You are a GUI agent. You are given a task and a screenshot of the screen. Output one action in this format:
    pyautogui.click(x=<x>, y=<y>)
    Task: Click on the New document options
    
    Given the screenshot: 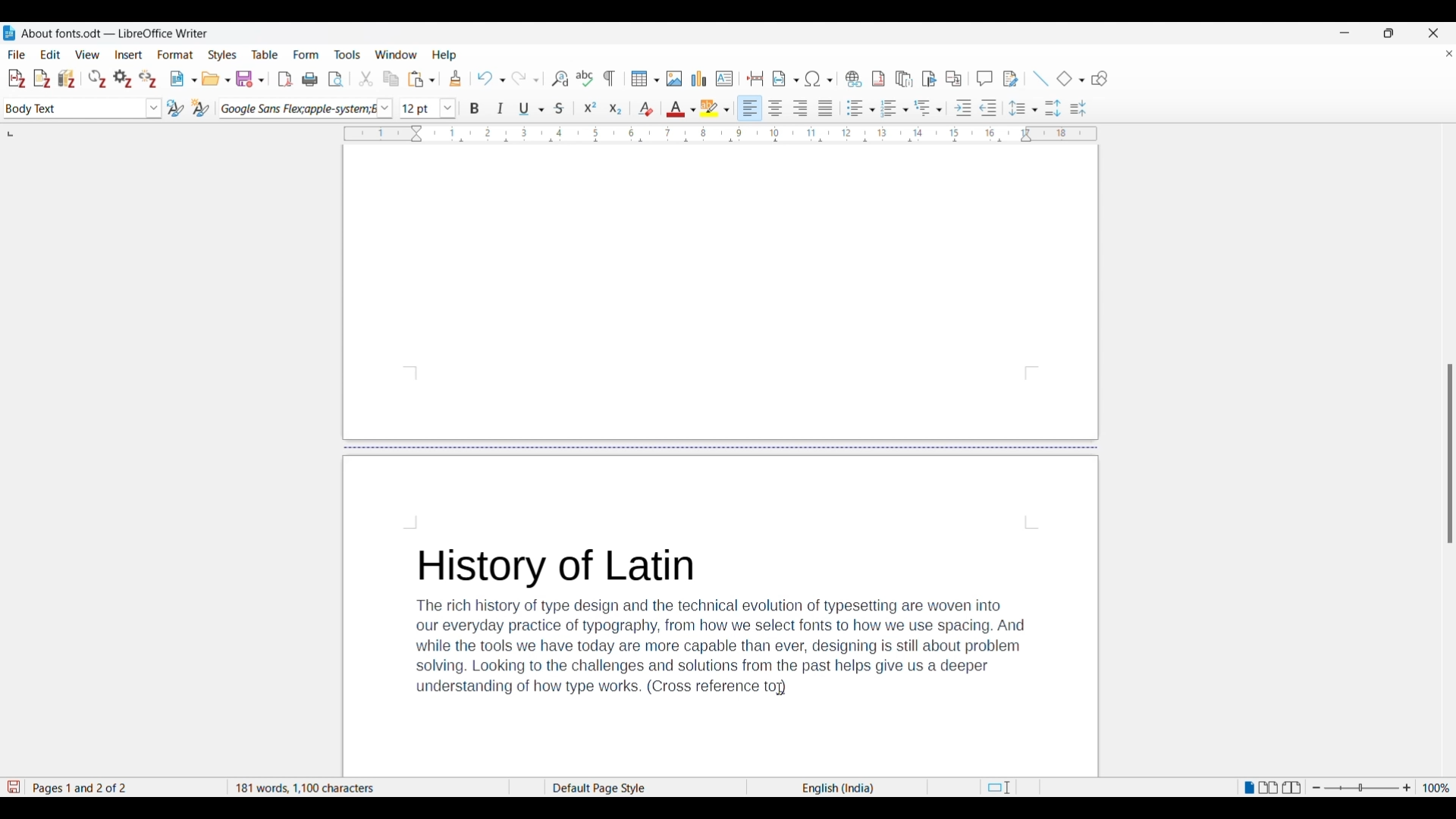 What is the action you would take?
    pyautogui.click(x=184, y=79)
    